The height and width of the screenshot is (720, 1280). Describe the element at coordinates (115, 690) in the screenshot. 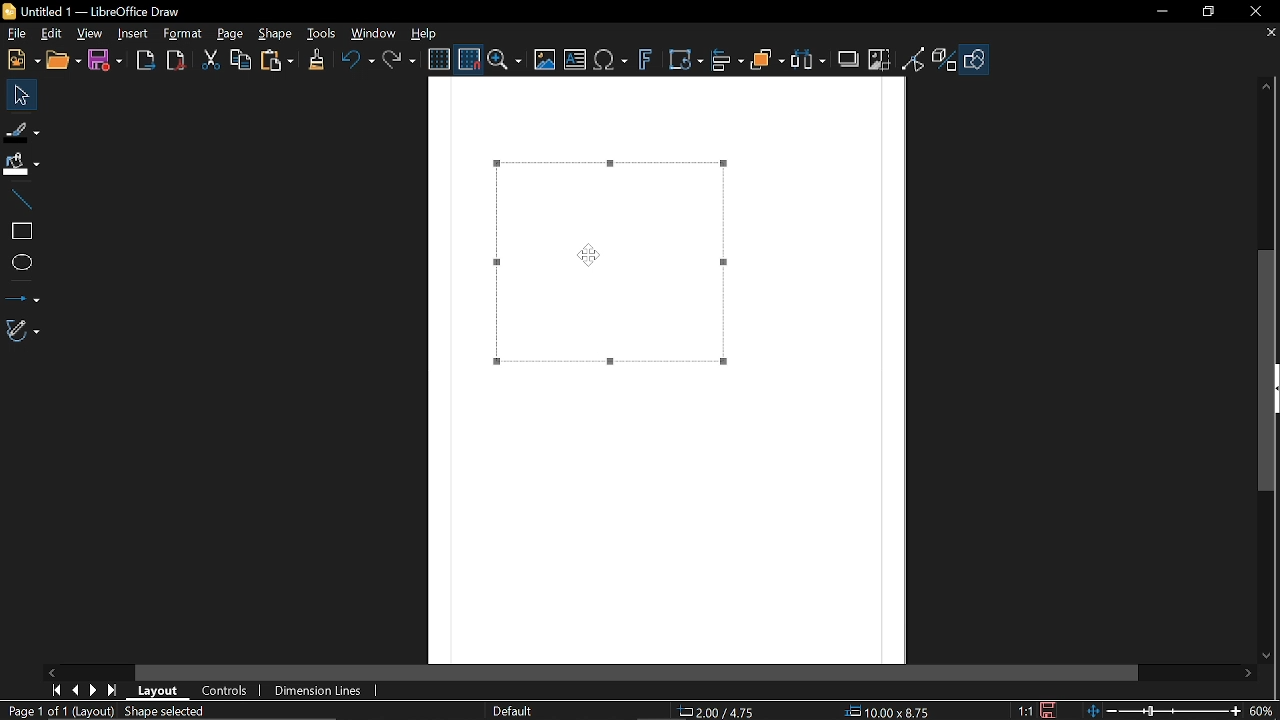

I see `Last page` at that location.